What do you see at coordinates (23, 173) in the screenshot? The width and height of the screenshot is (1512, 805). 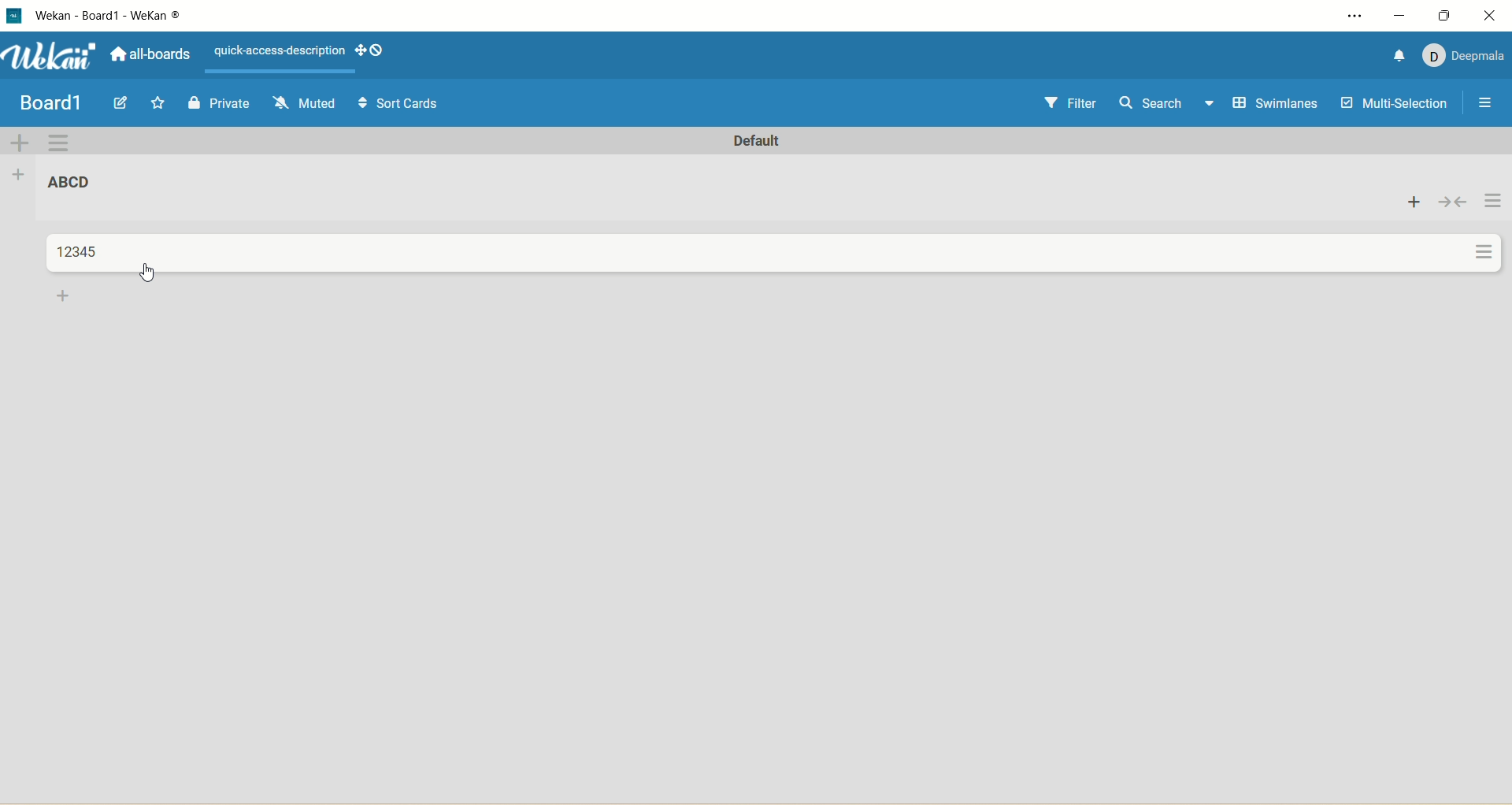 I see `add list` at bounding box center [23, 173].